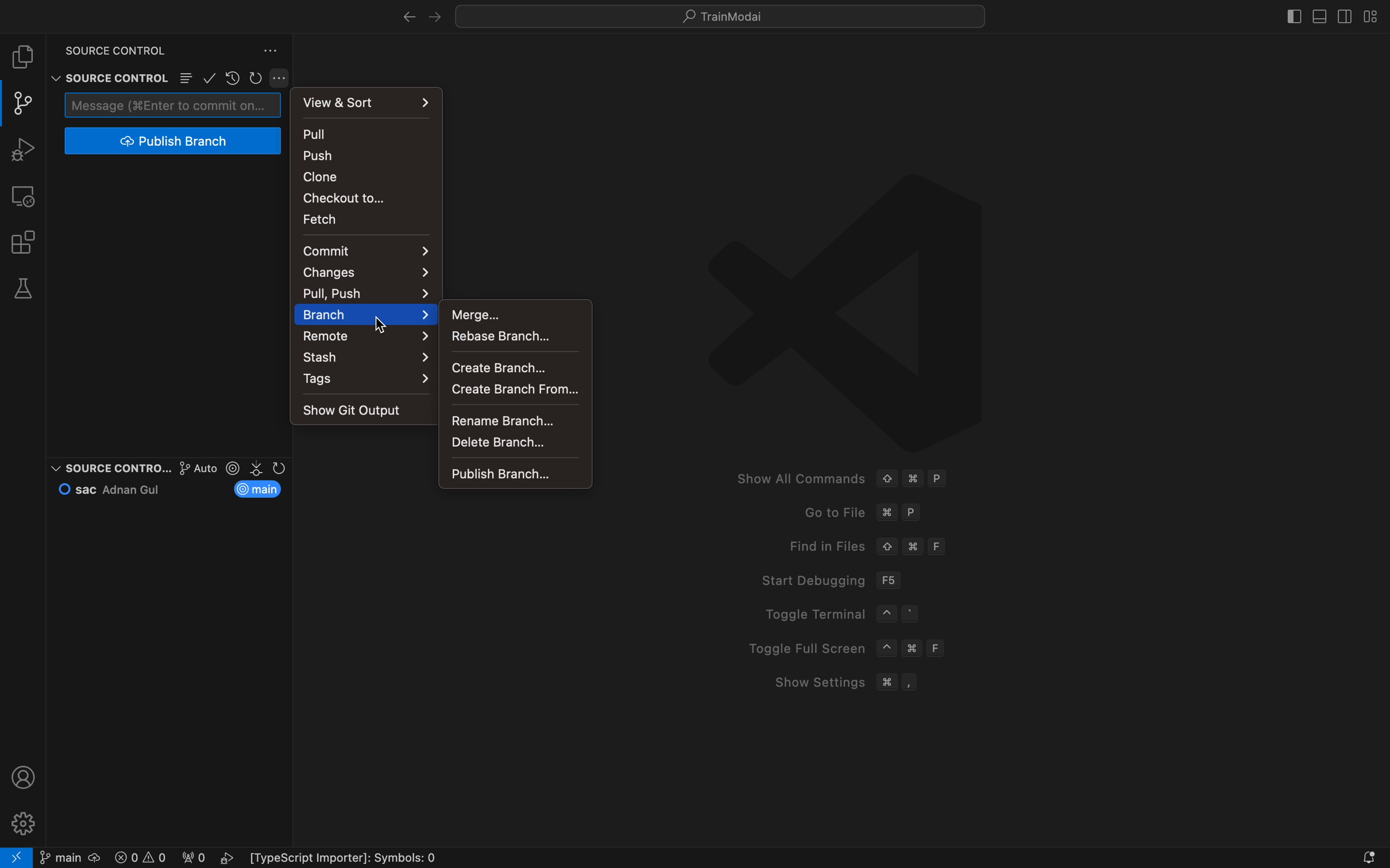  I want to click on commit, so click(364, 250).